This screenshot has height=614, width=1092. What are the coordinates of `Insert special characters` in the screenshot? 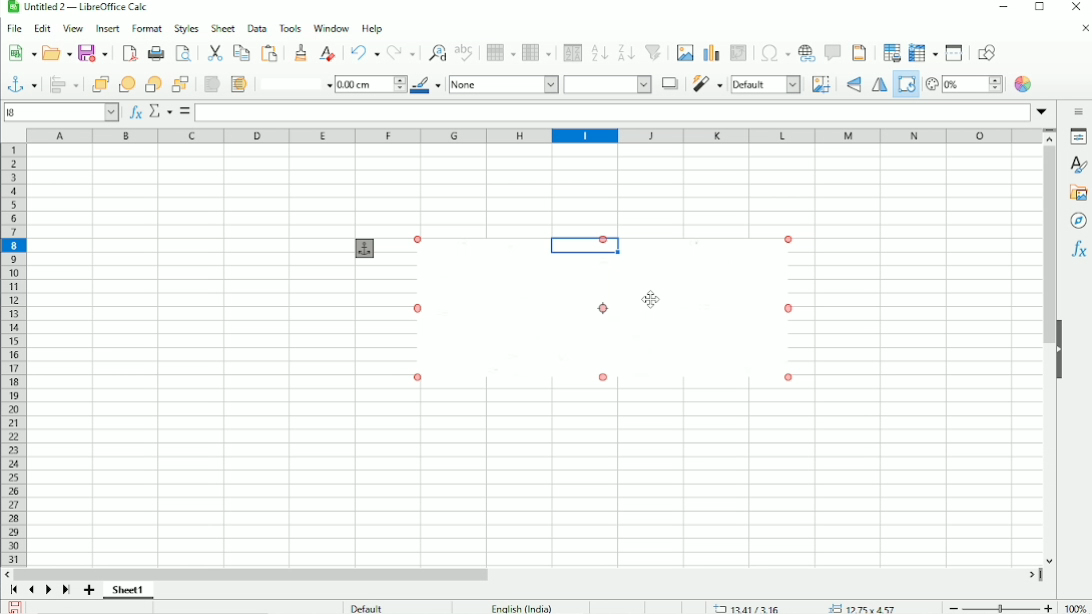 It's located at (775, 52).